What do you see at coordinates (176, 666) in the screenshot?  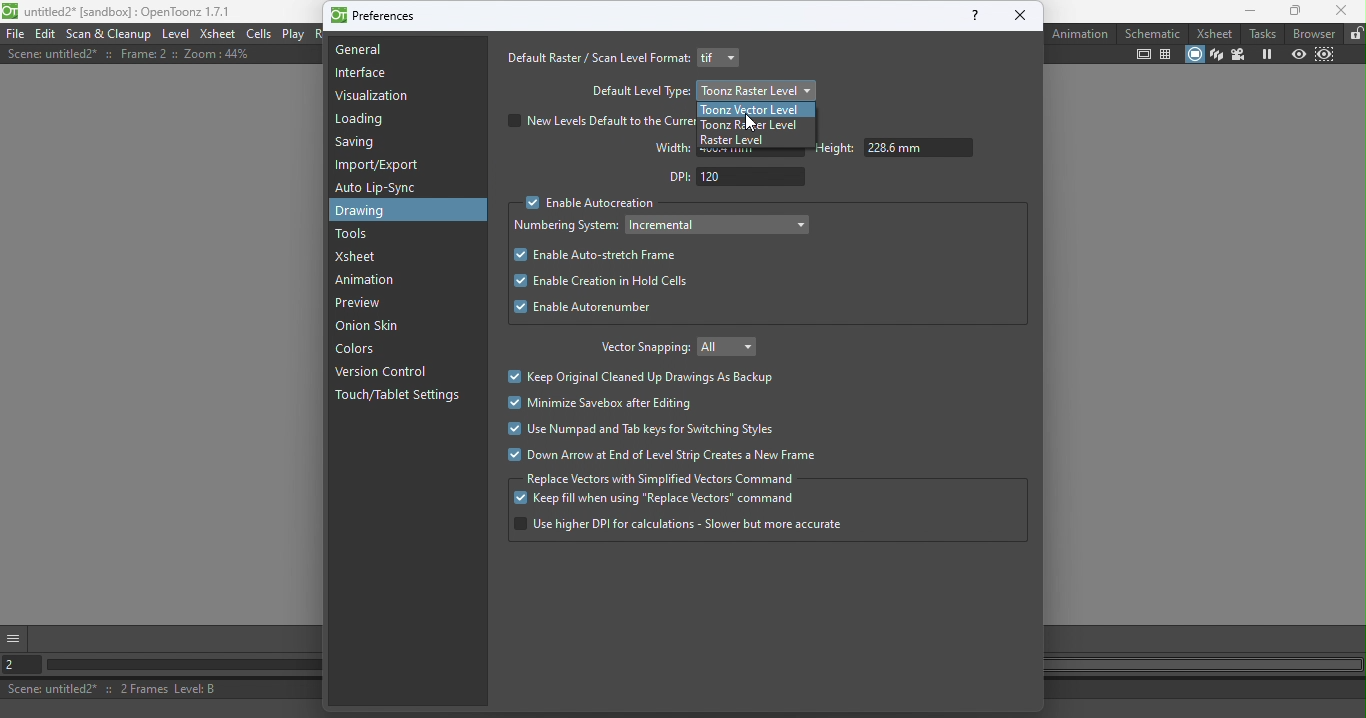 I see `Horizontal scroll bar` at bounding box center [176, 666].